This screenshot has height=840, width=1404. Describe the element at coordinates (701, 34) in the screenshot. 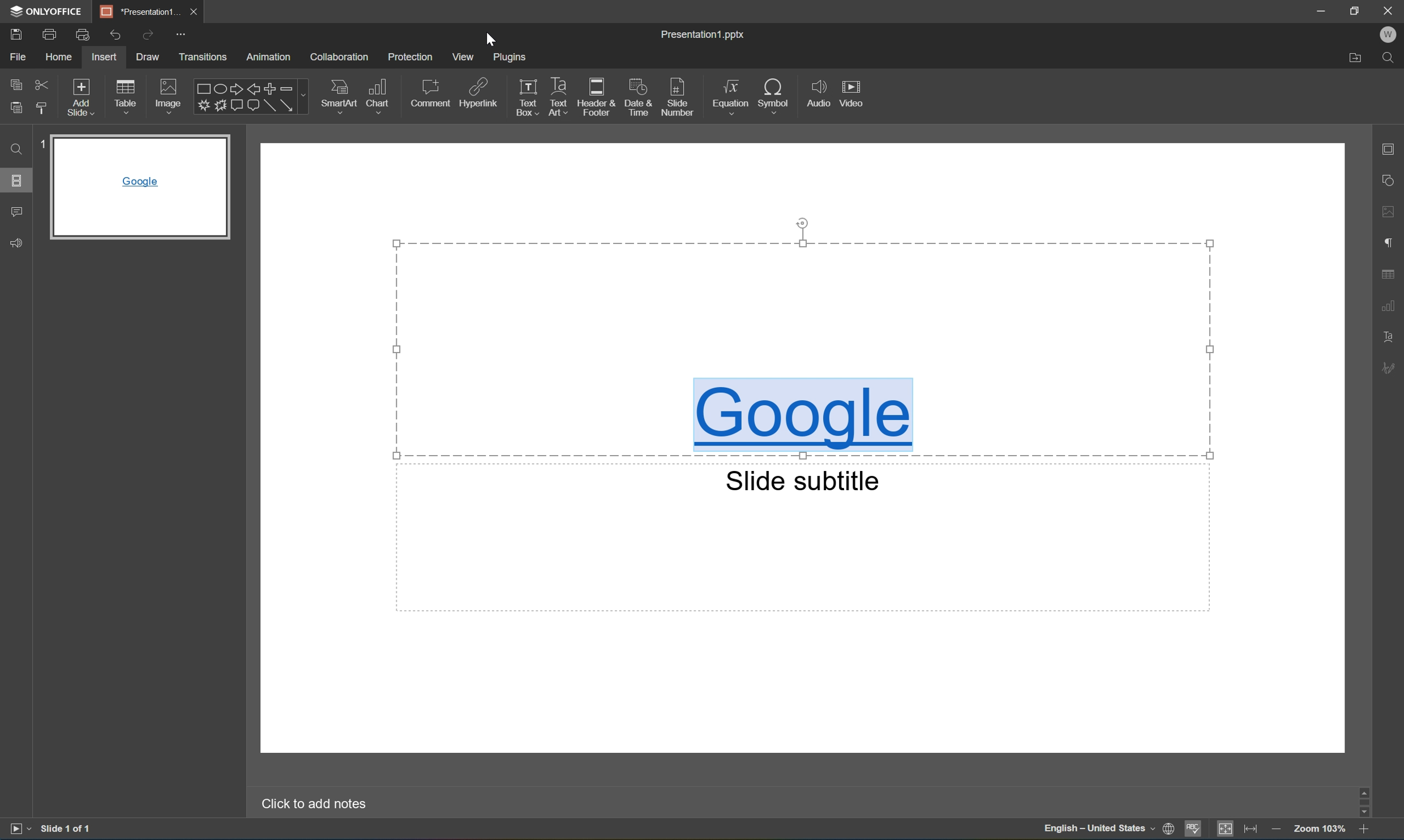

I see `Presentation1.pptx` at that location.